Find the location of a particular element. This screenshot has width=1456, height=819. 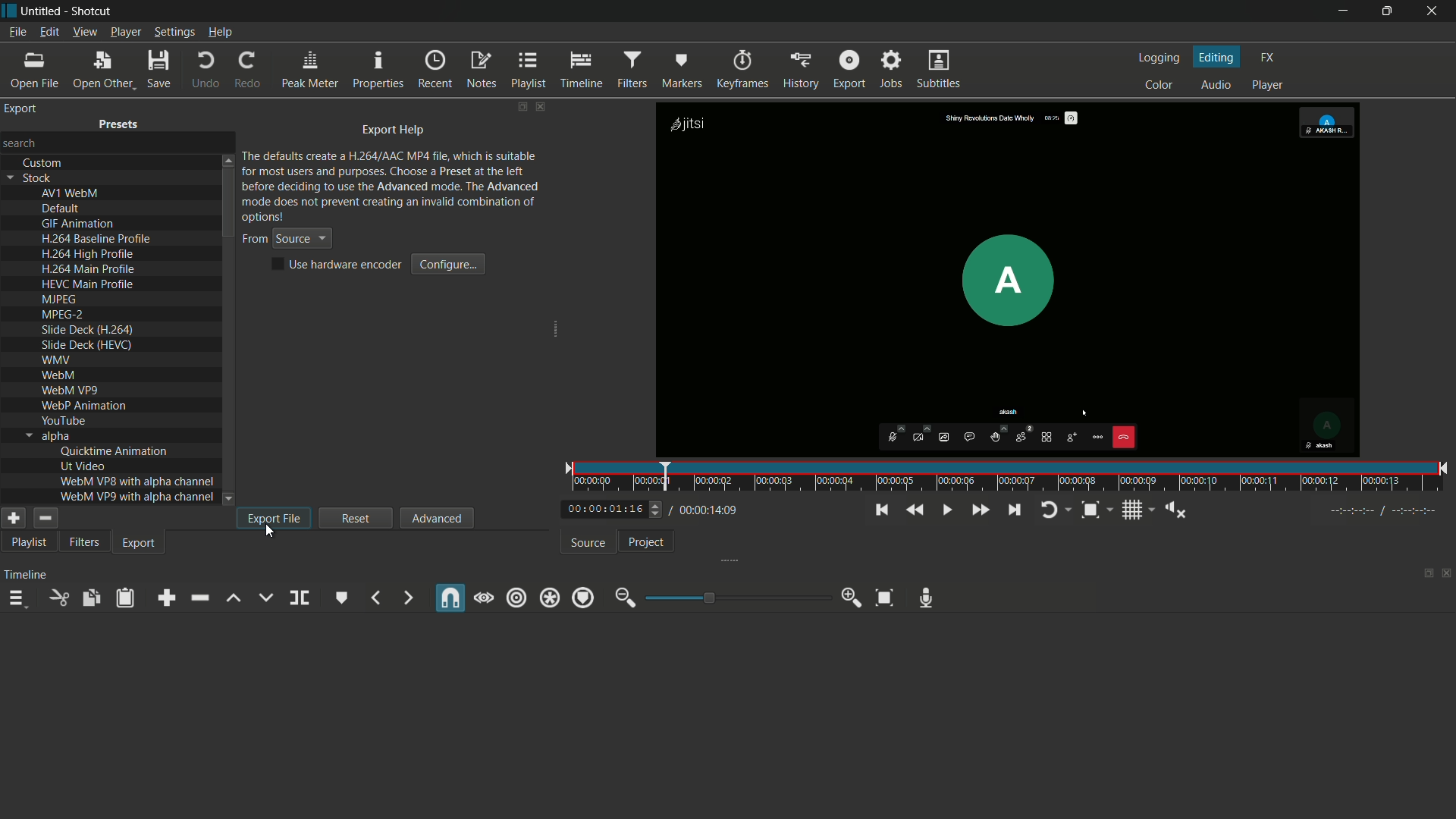

close export is located at coordinates (541, 108).